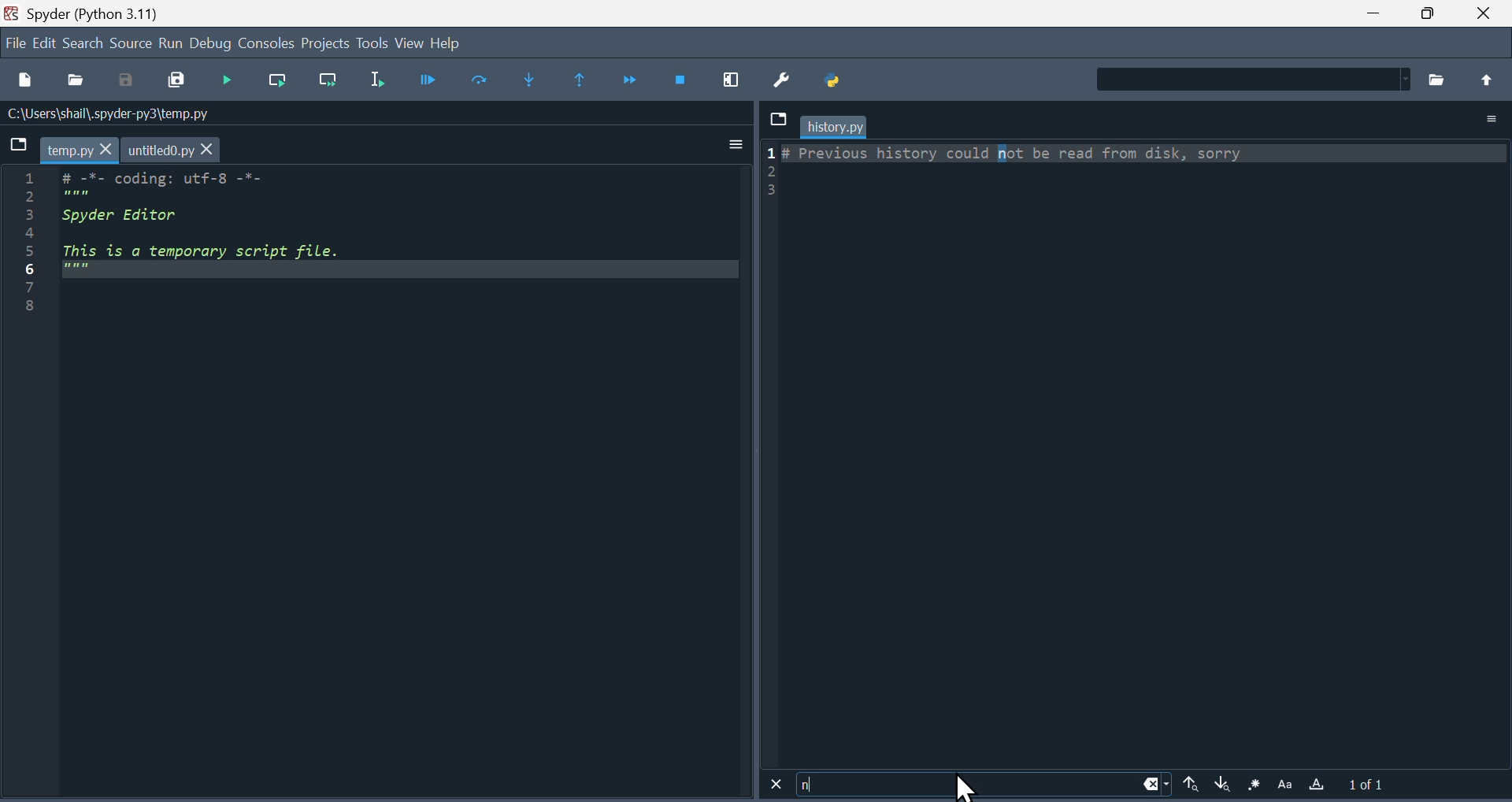 The width and height of the screenshot is (1512, 802). Describe the element at coordinates (131, 43) in the screenshot. I see `source` at that location.